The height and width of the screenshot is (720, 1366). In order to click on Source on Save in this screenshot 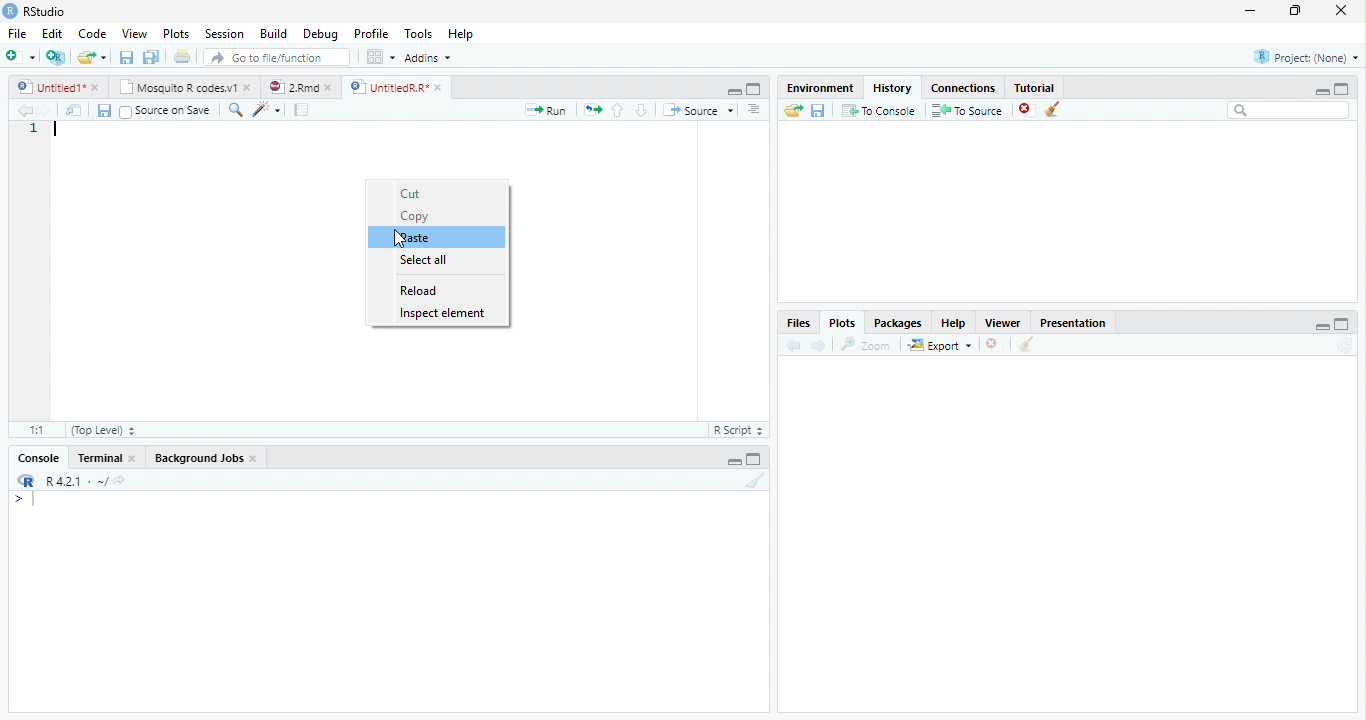, I will do `click(163, 111)`.